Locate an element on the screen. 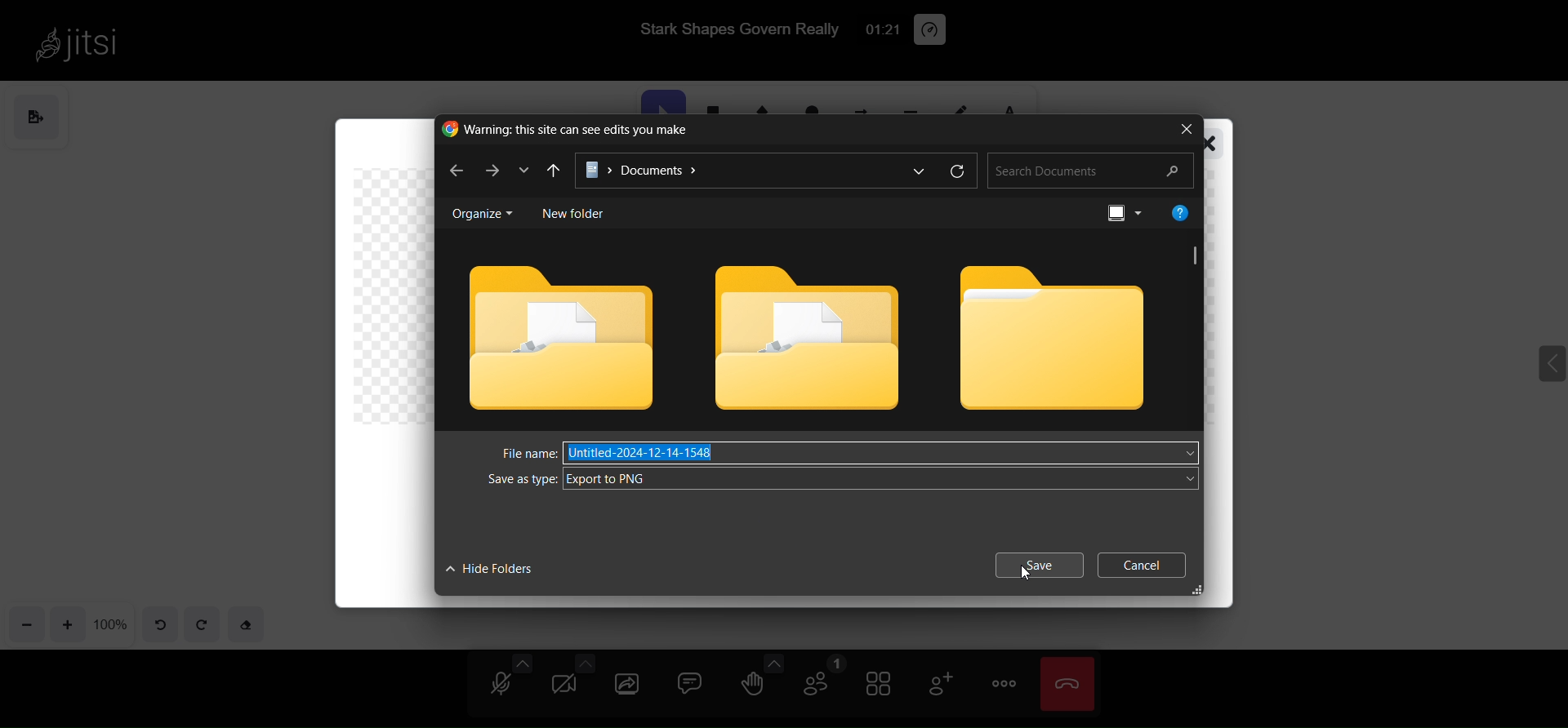 The height and width of the screenshot is (728, 1568). file name is located at coordinates (528, 448).